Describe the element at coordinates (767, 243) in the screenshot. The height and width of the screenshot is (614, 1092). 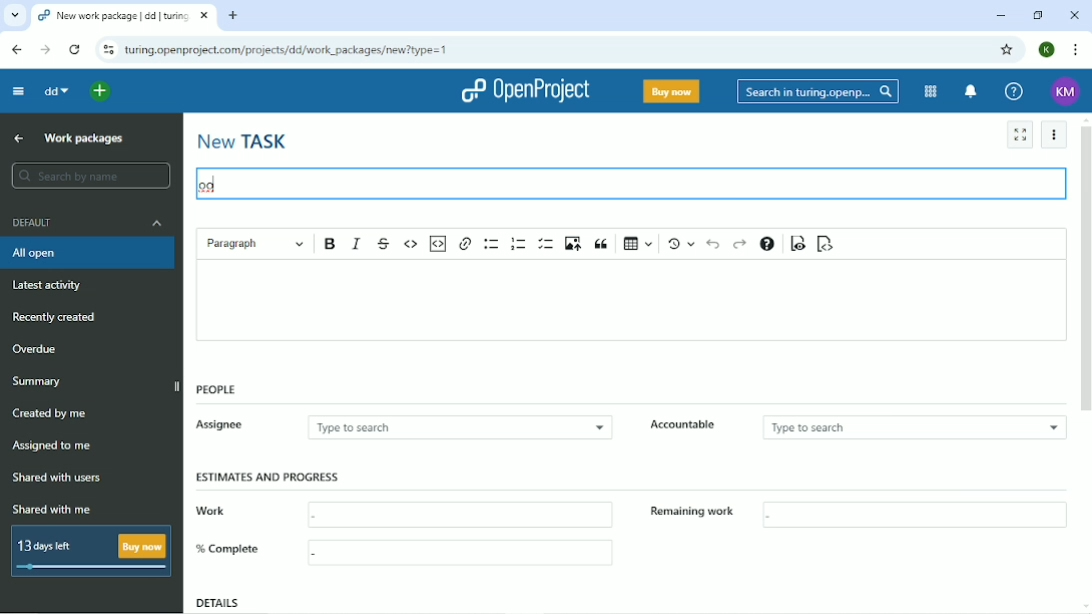
I see `` at that location.